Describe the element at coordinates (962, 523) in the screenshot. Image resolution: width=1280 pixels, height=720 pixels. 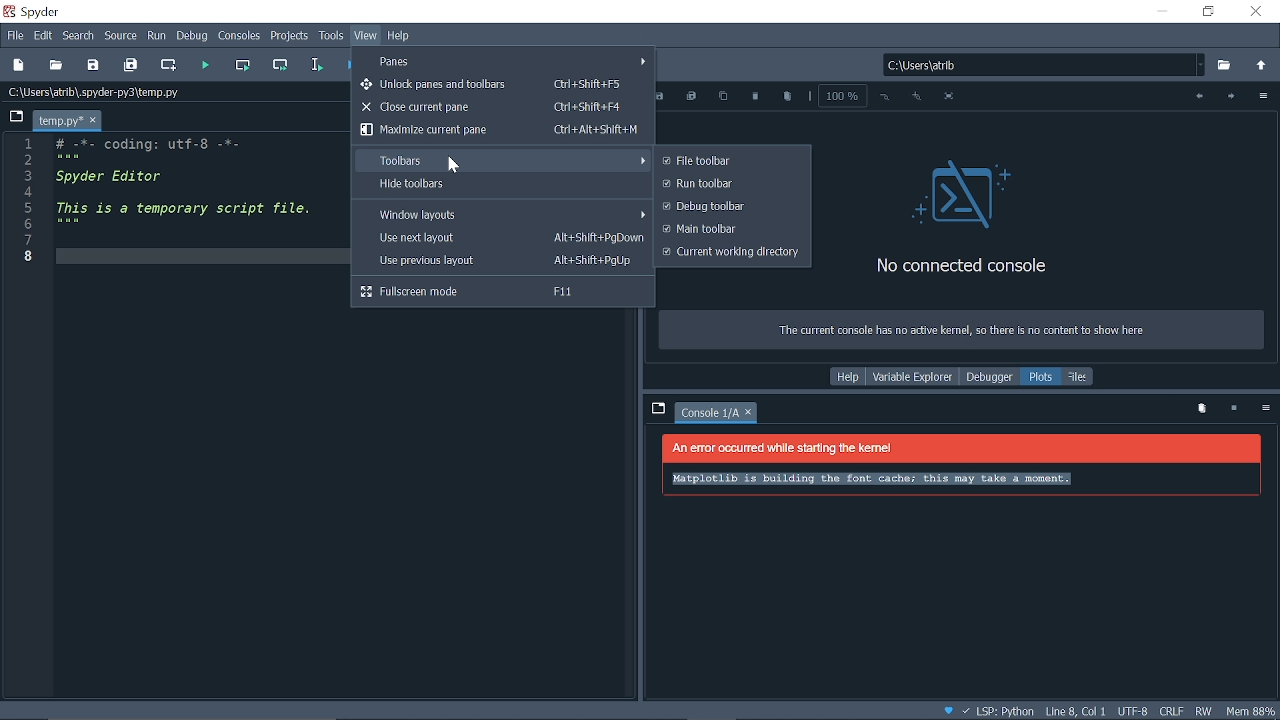
I see `Space for displaying plots` at that location.